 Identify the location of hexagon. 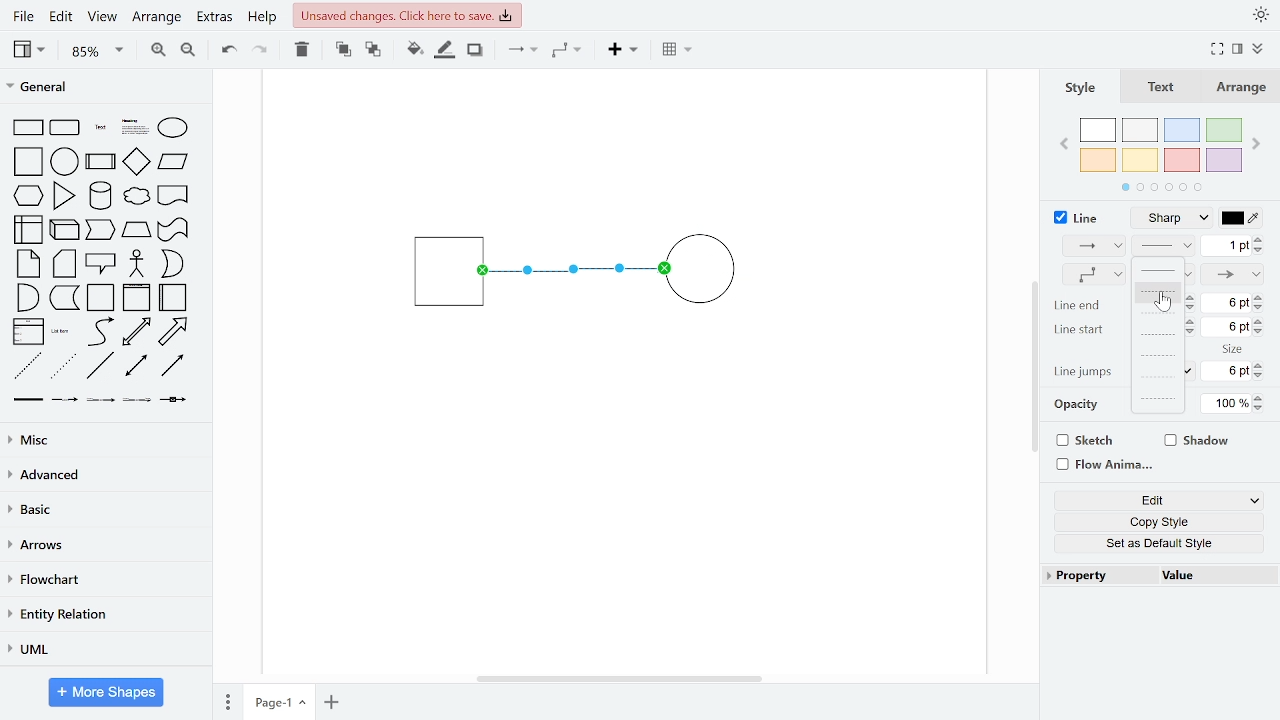
(32, 197).